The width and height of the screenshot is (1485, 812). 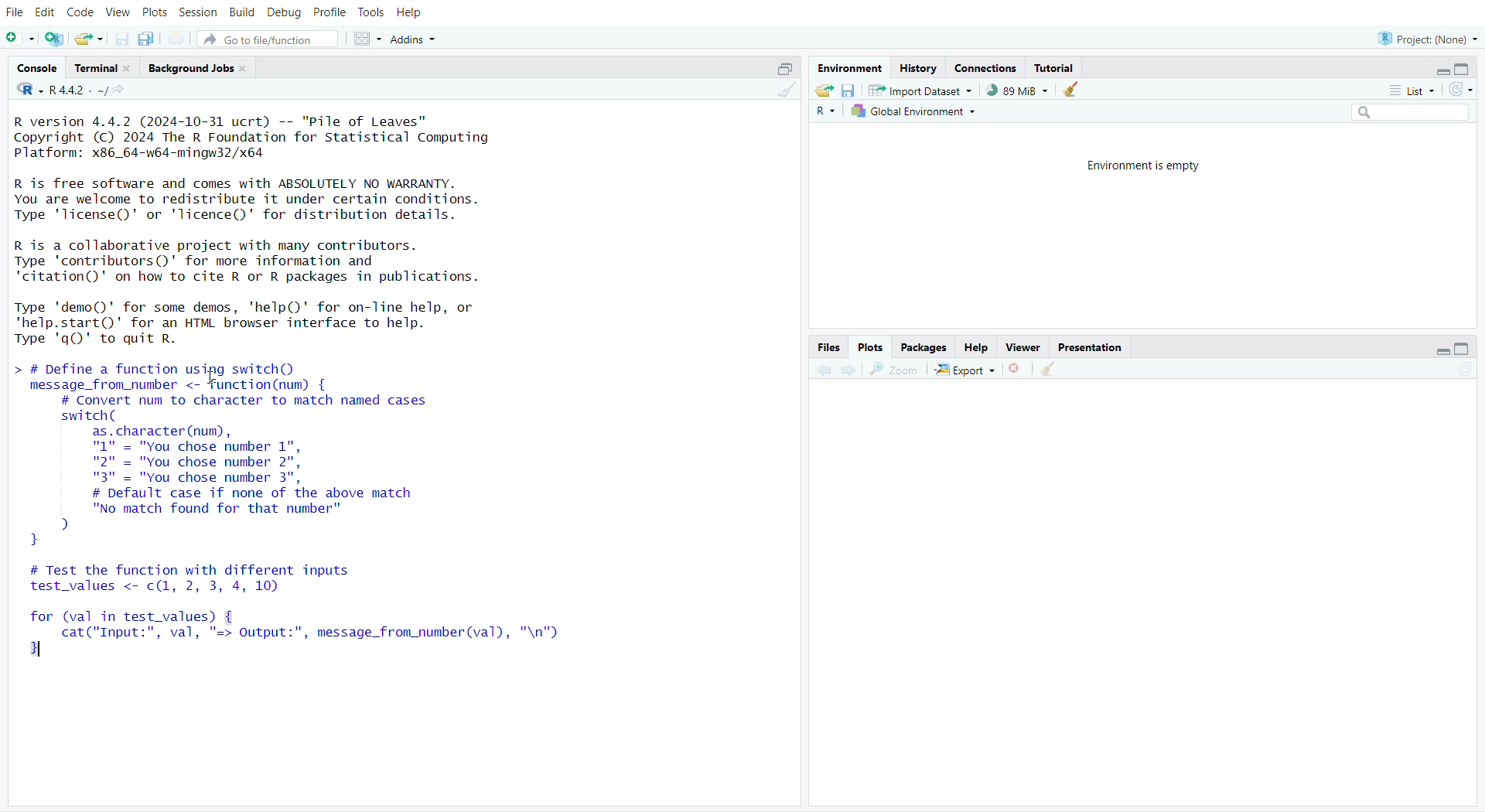 I want to click on Go back to the previous source location (Ctrl + F9), so click(x=823, y=368).